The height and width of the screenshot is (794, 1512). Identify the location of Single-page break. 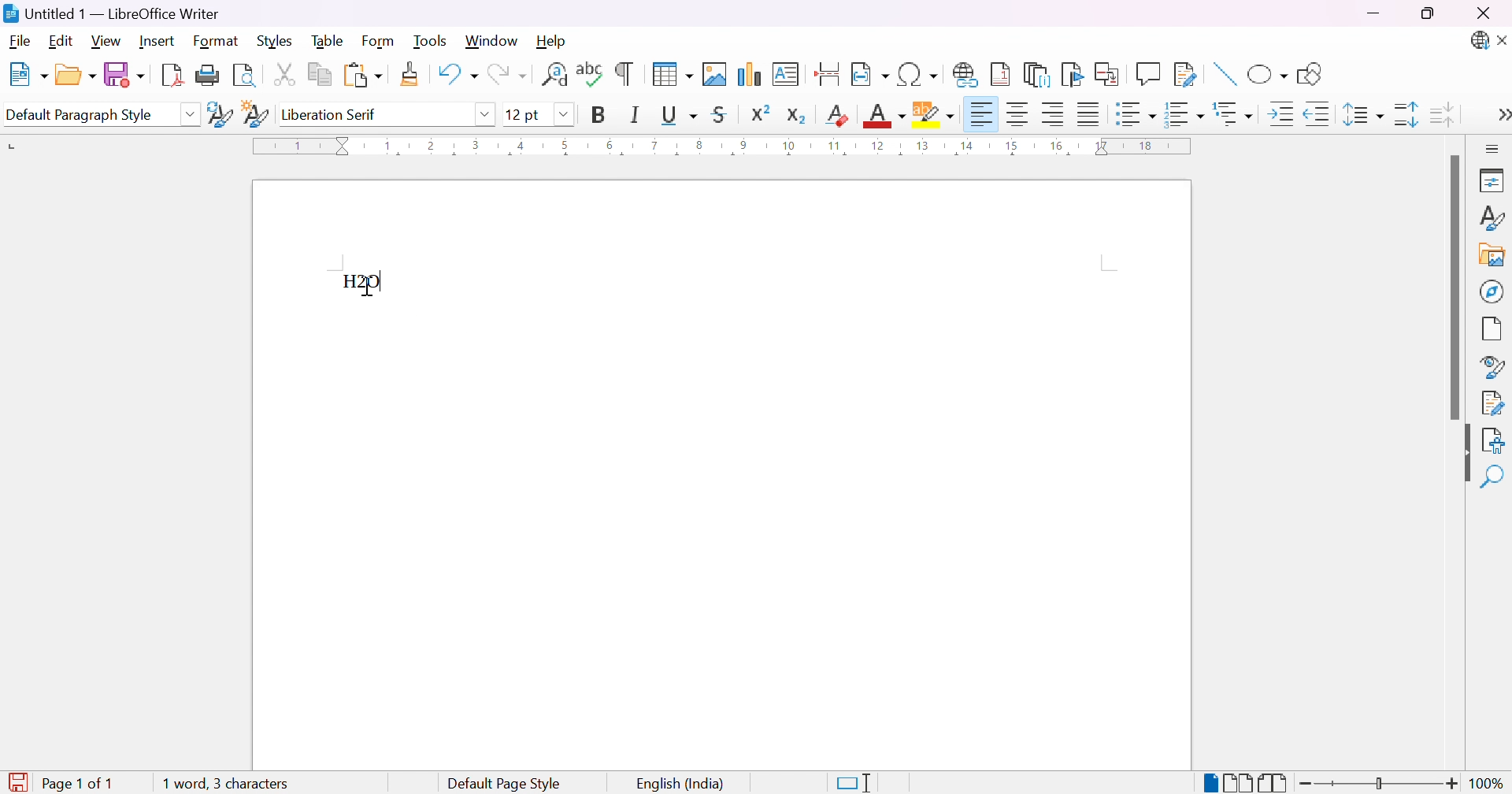
(1209, 784).